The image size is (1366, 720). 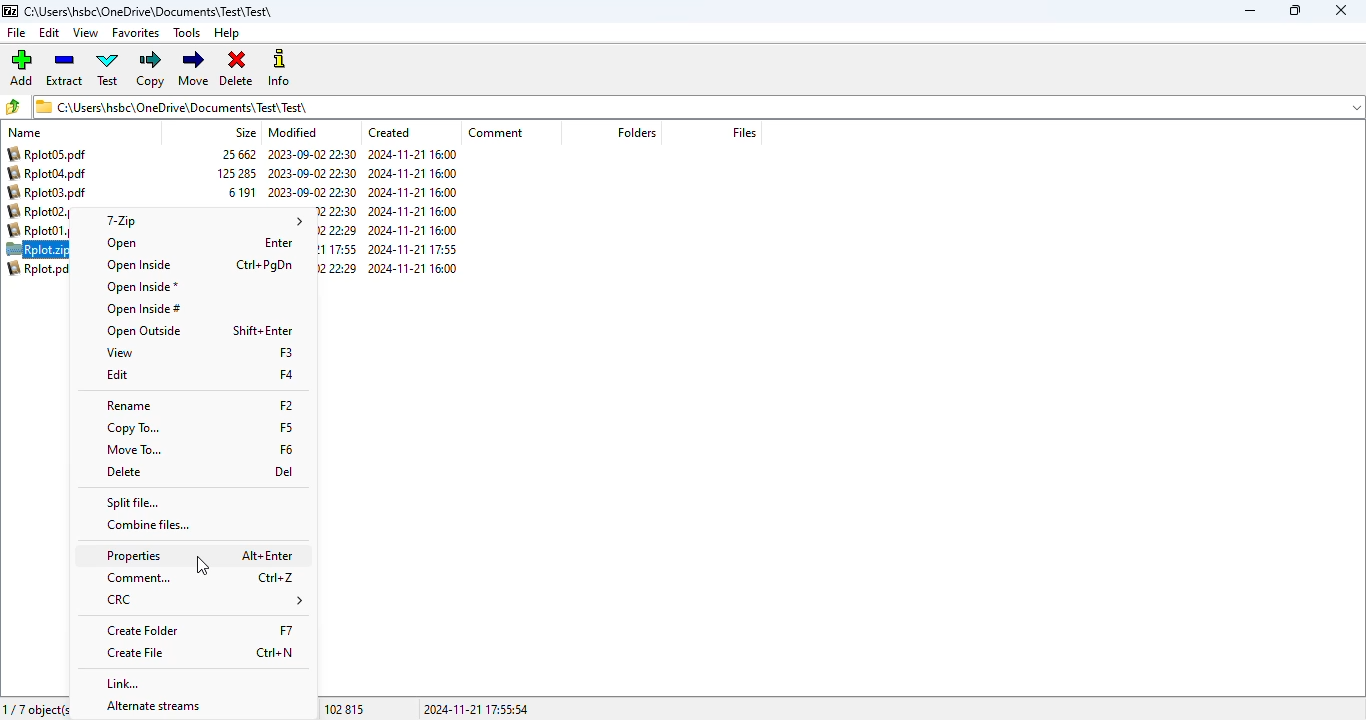 What do you see at coordinates (1250, 11) in the screenshot?
I see `minimize` at bounding box center [1250, 11].